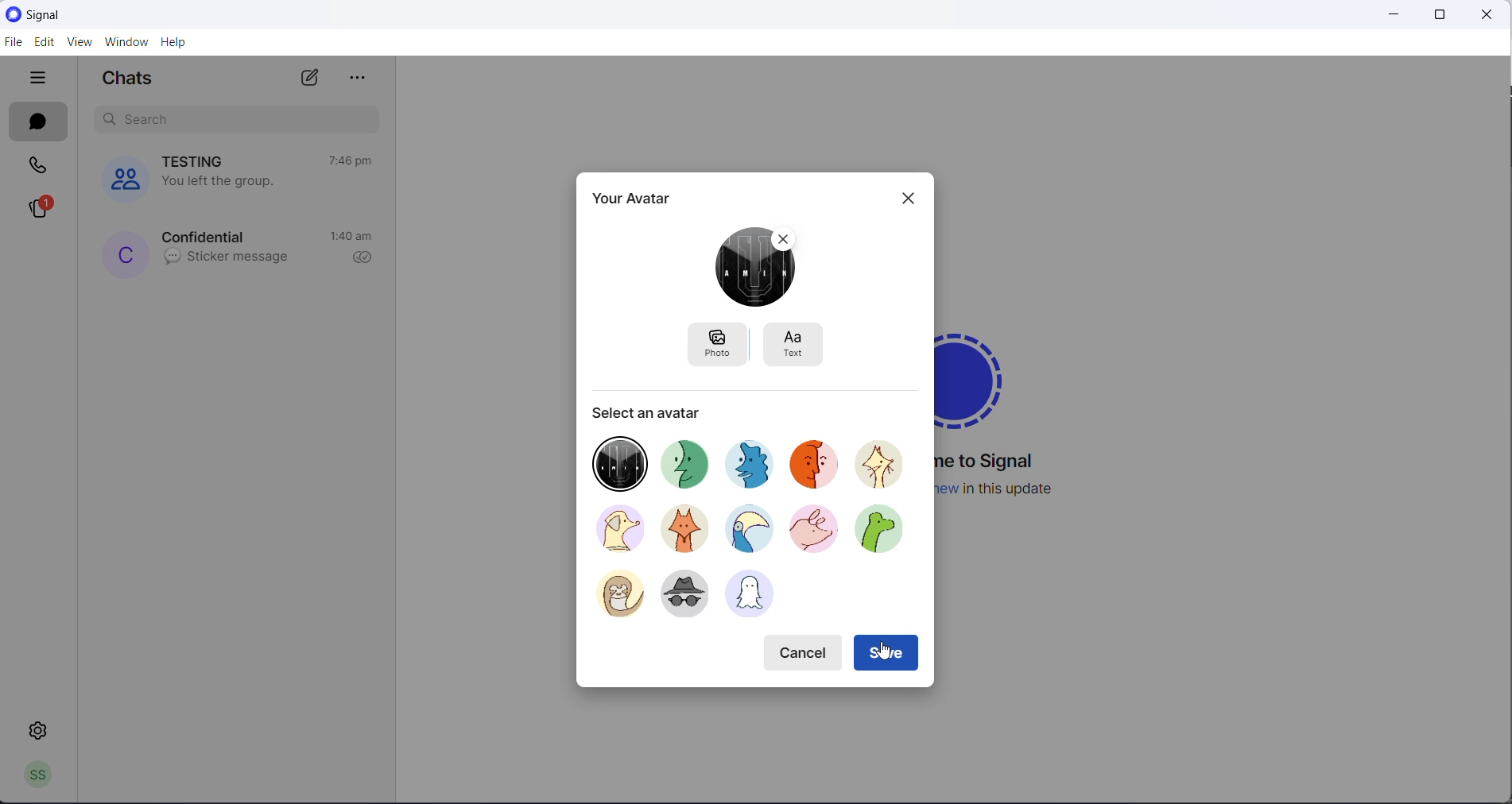 The height and width of the screenshot is (804, 1512). I want to click on read recipient, so click(362, 259).